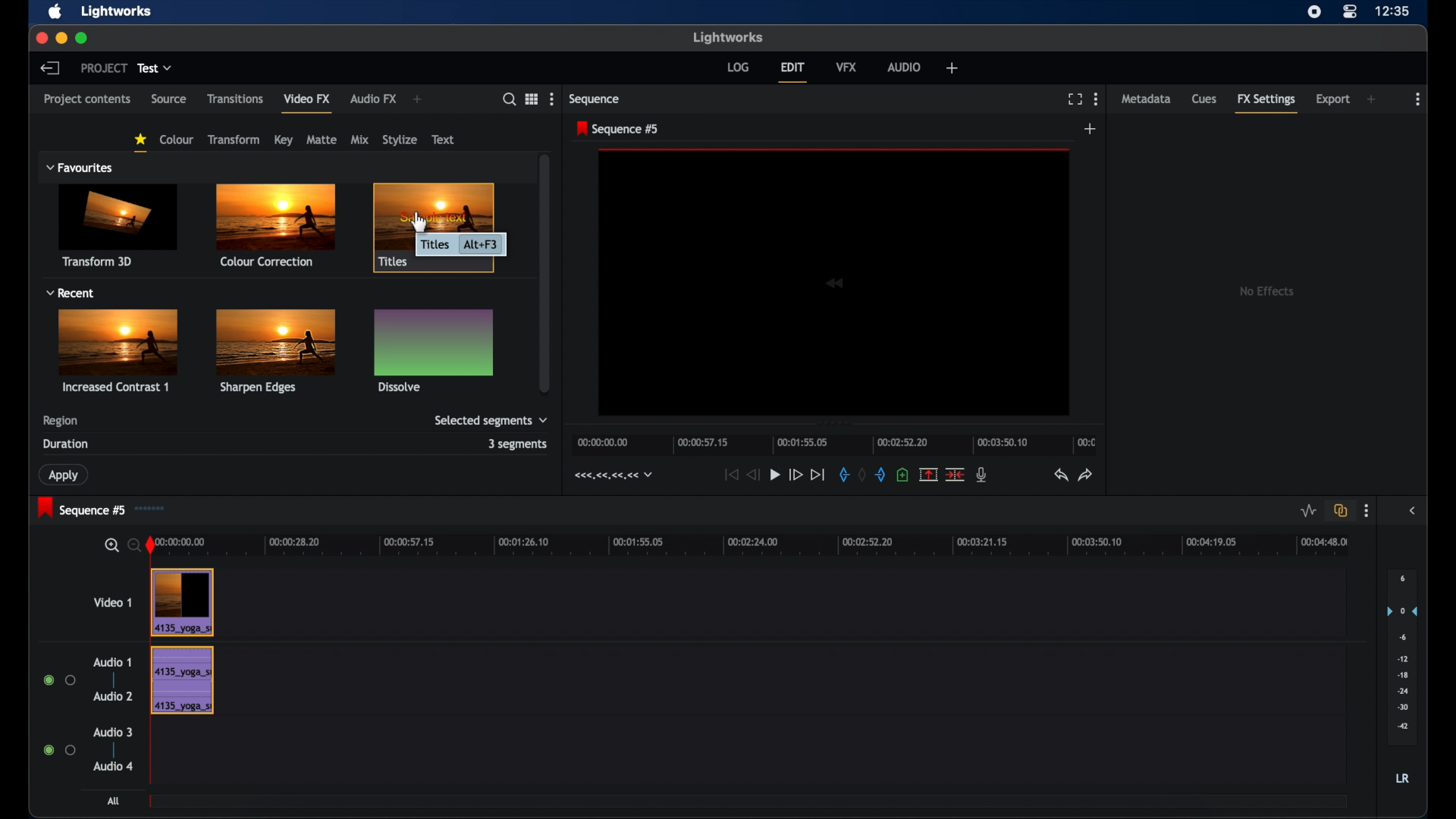 The image size is (1456, 819). What do you see at coordinates (817, 474) in the screenshot?
I see `jump to end` at bounding box center [817, 474].